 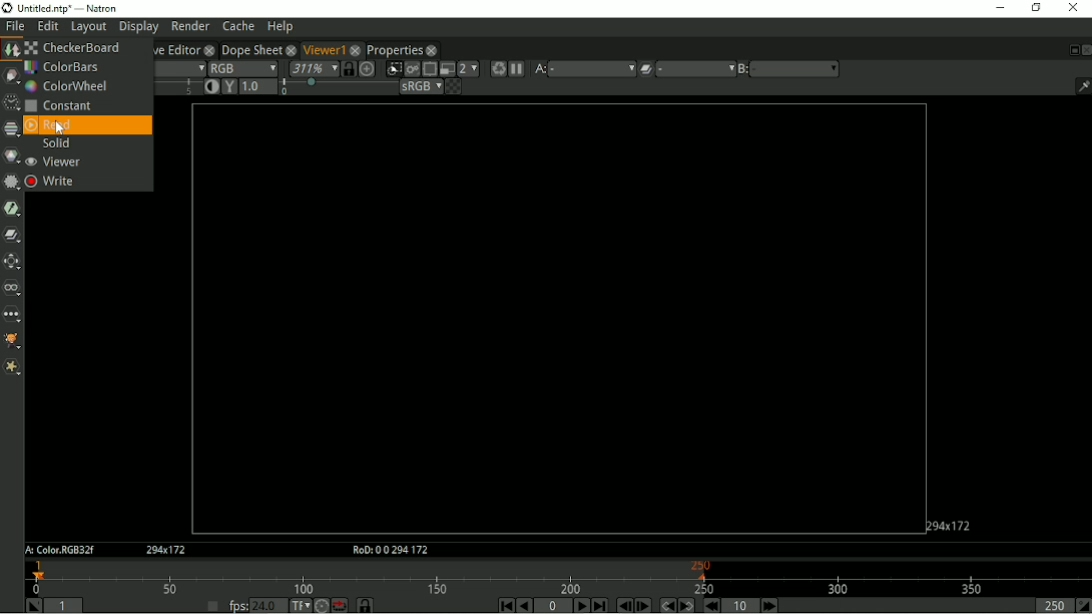 What do you see at coordinates (738, 605) in the screenshot?
I see `Frame Increment` at bounding box center [738, 605].